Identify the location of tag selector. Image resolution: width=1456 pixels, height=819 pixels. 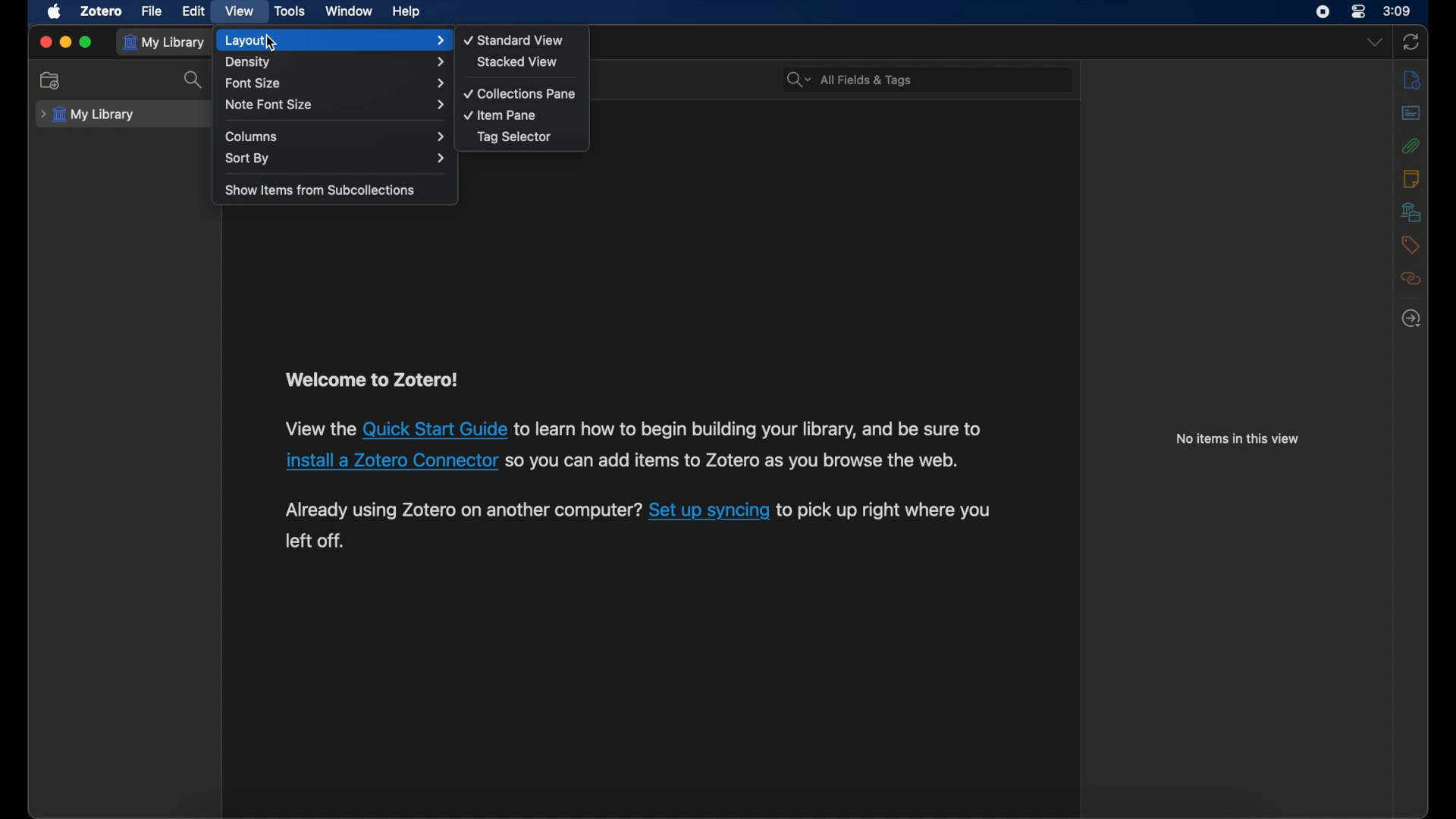
(514, 136).